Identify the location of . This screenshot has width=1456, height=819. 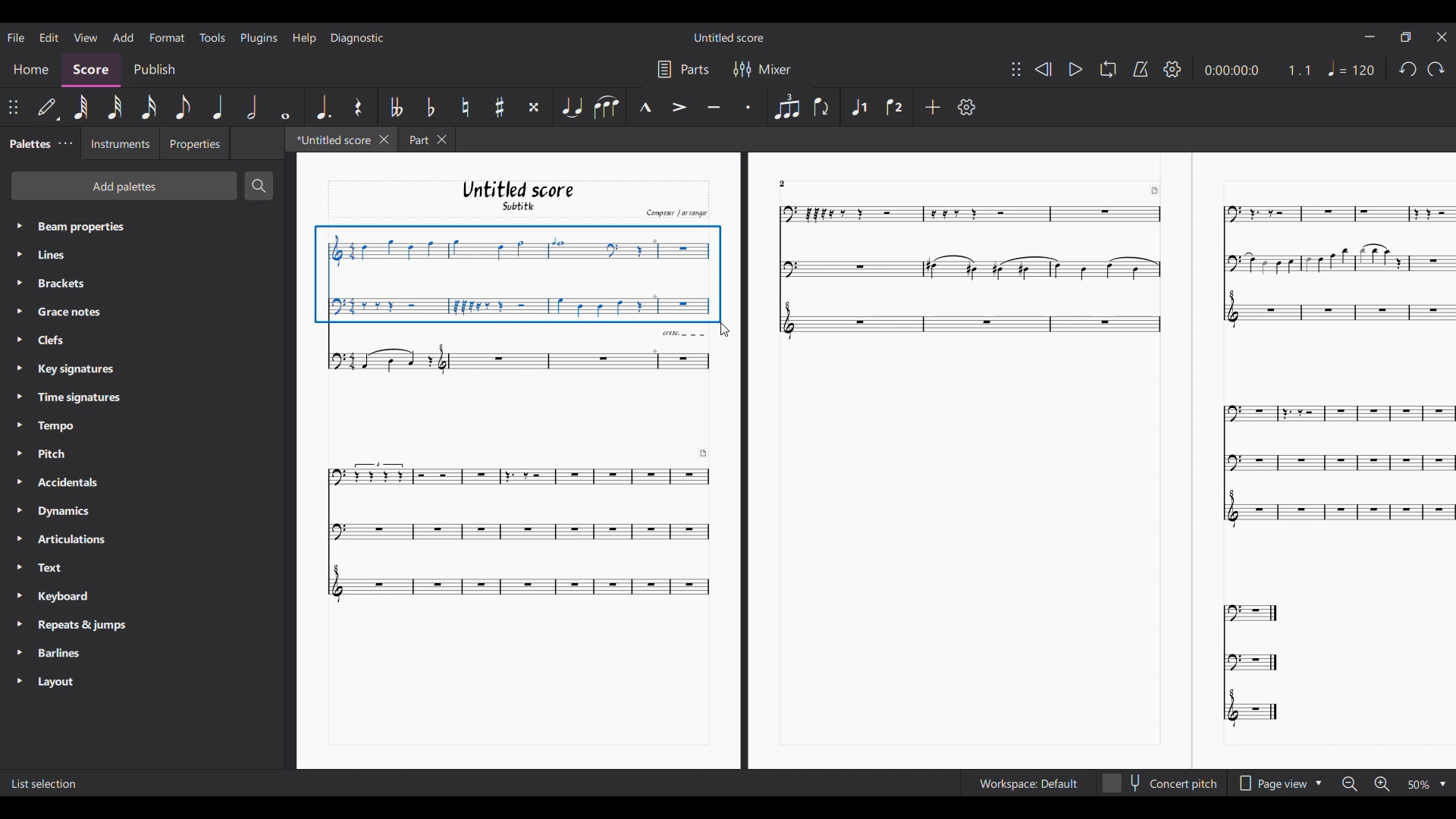
(16, 340).